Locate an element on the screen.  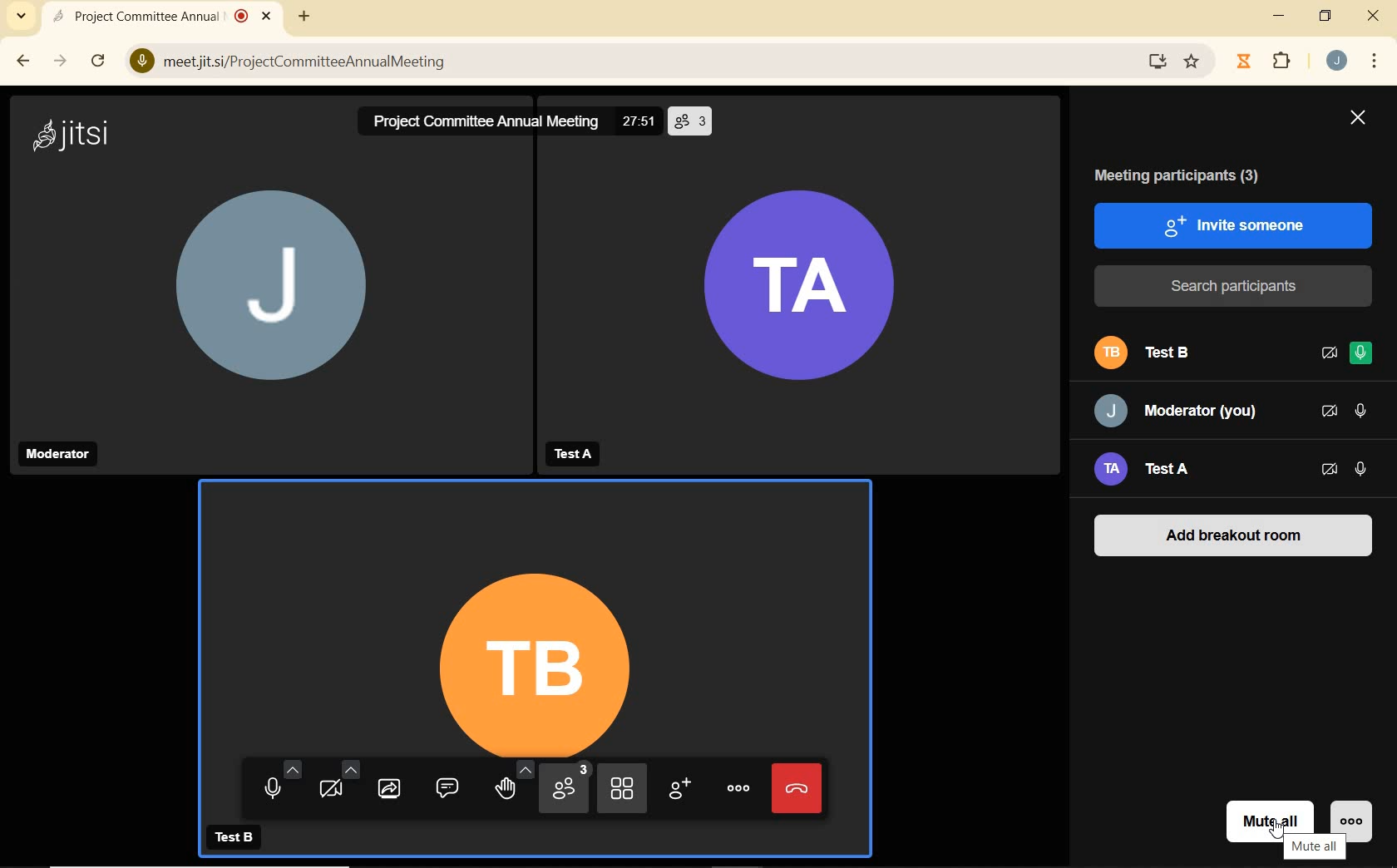
MORE ACTIONS is located at coordinates (1356, 811).